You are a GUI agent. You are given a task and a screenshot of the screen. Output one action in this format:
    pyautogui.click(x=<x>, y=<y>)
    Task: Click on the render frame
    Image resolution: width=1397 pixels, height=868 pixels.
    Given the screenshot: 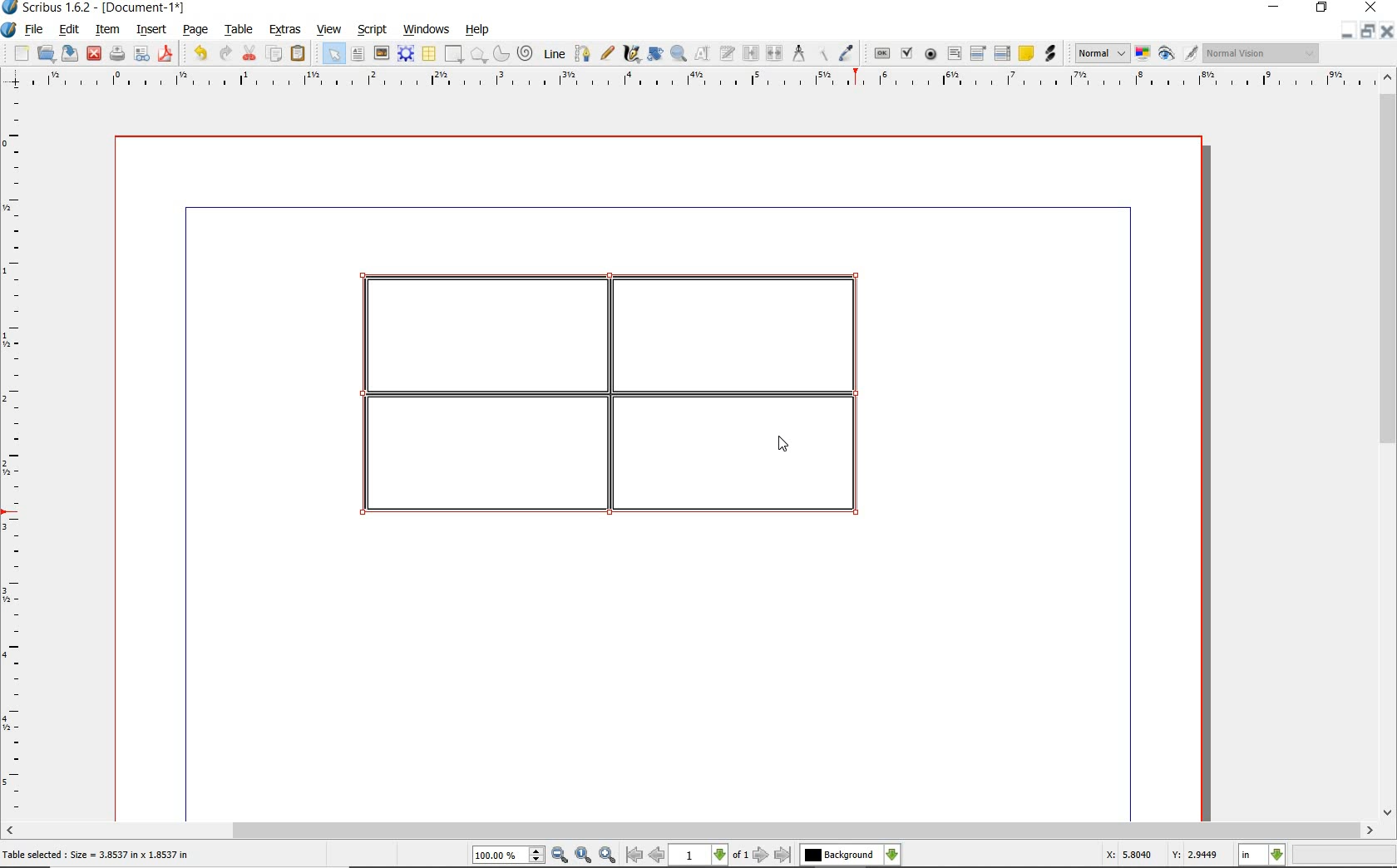 What is the action you would take?
    pyautogui.click(x=406, y=52)
    